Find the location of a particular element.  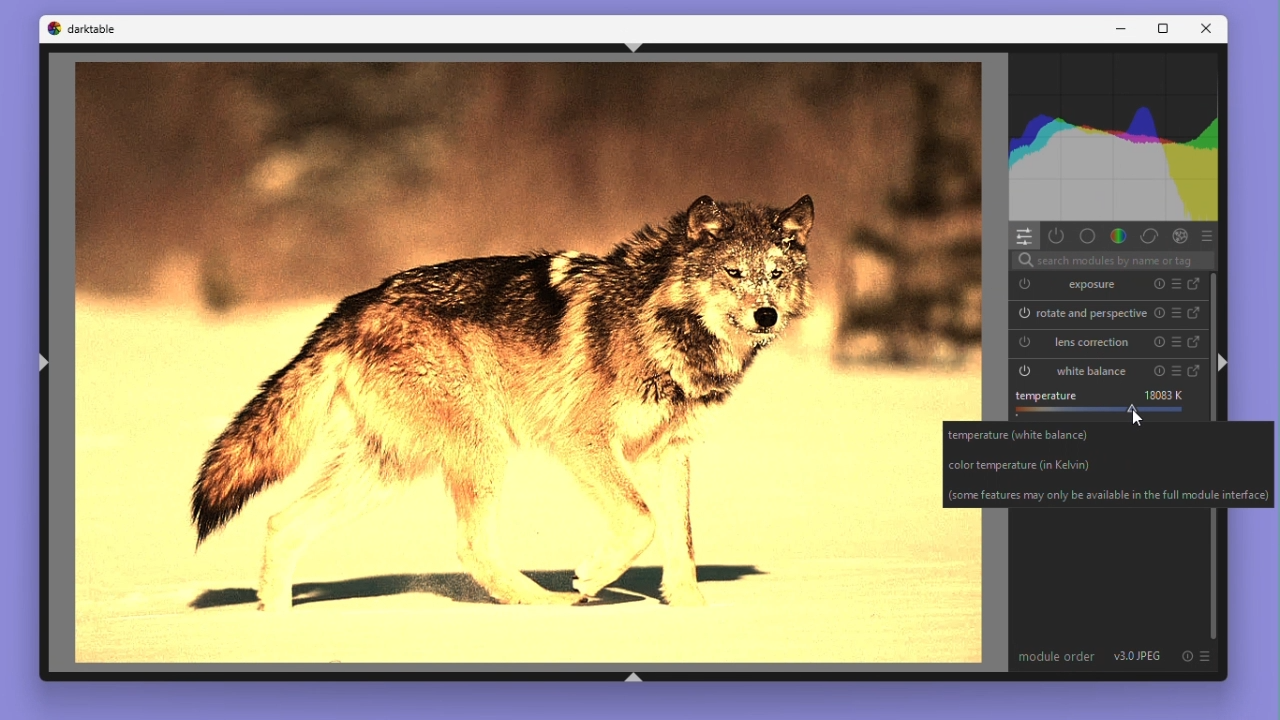

temperature(white balance) color temperature (in Kevin) (some features may only be available in the full module interface) is located at coordinates (1134, 467).